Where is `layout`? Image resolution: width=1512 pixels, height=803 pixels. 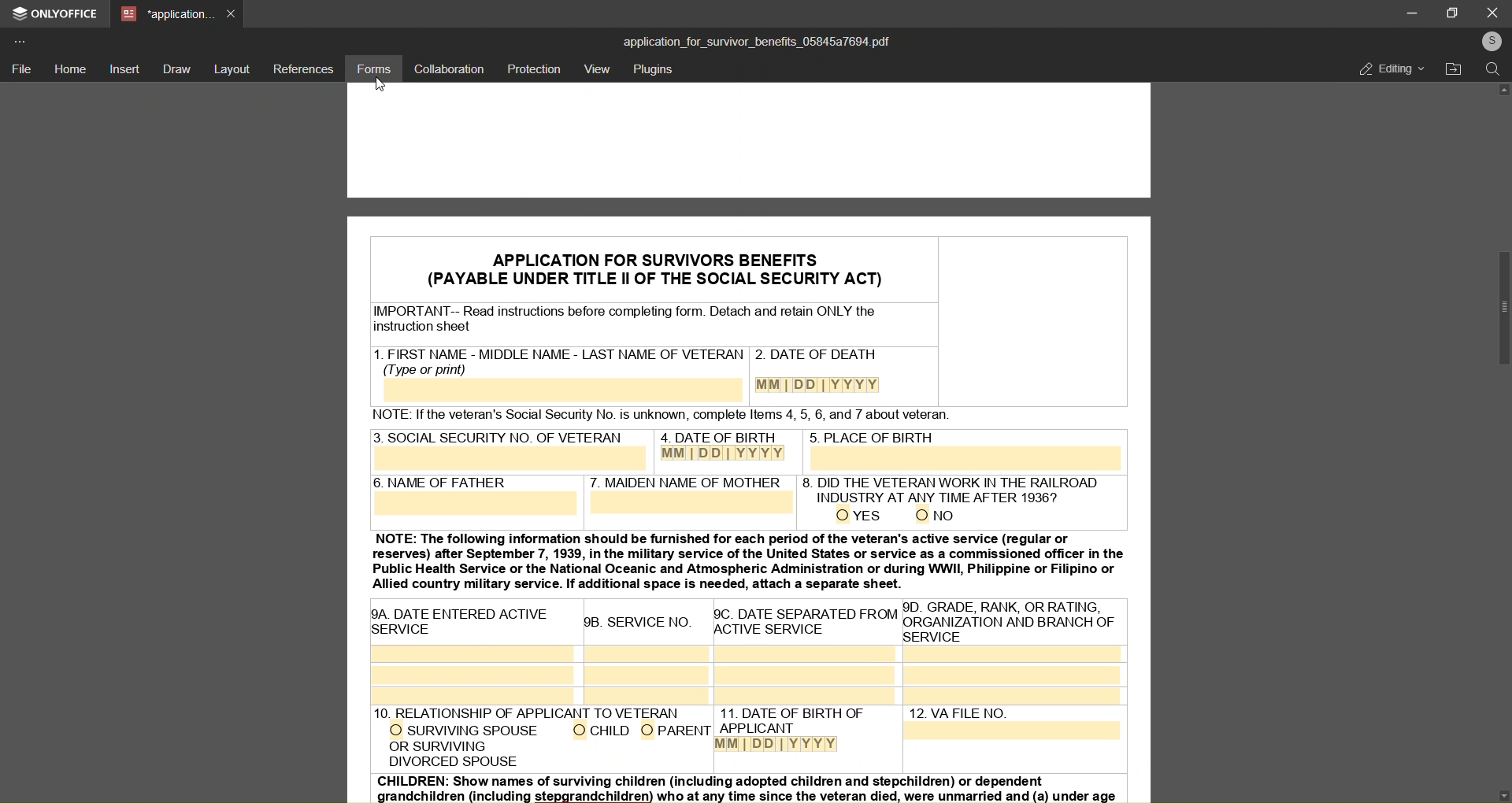
layout is located at coordinates (233, 68).